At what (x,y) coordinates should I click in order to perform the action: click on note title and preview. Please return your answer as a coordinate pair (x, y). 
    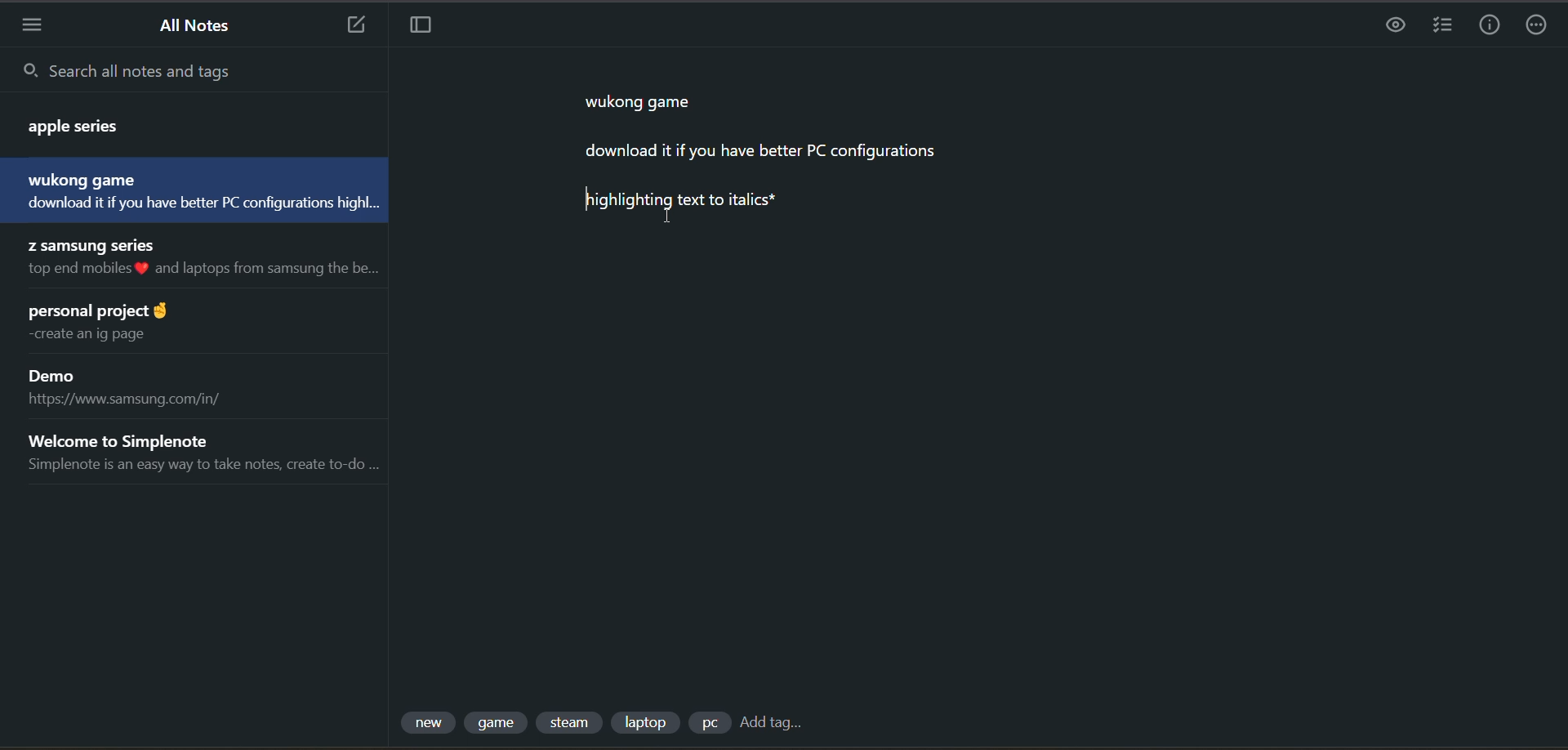
    Looking at the image, I should click on (122, 324).